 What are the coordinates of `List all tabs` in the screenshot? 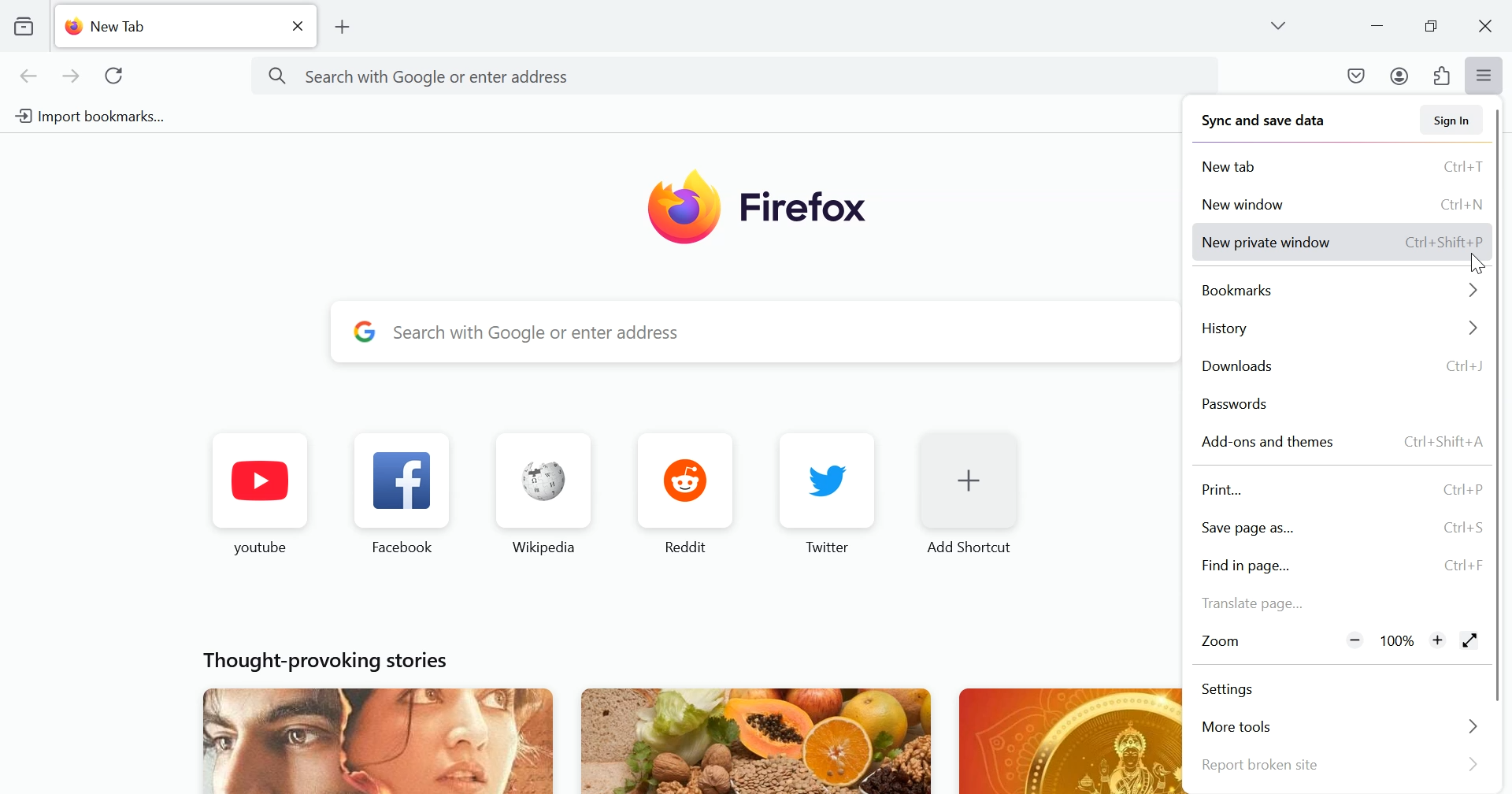 It's located at (1284, 25).